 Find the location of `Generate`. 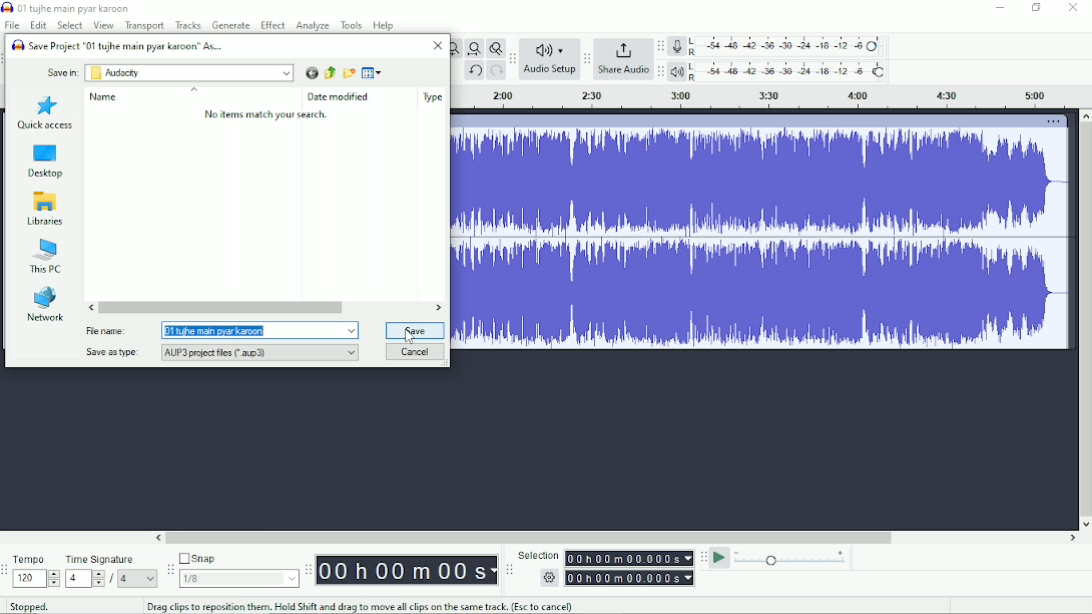

Generate is located at coordinates (232, 26).